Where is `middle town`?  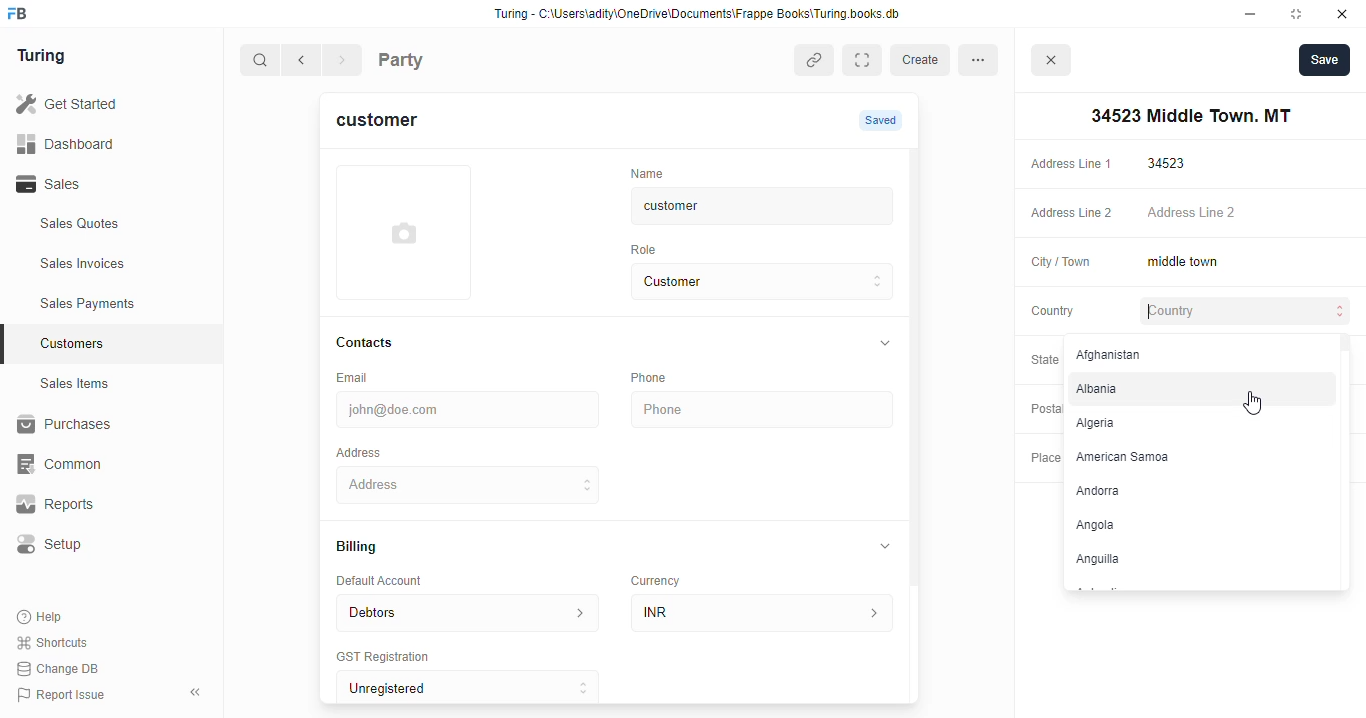 middle town is located at coordinates (1246, 263).